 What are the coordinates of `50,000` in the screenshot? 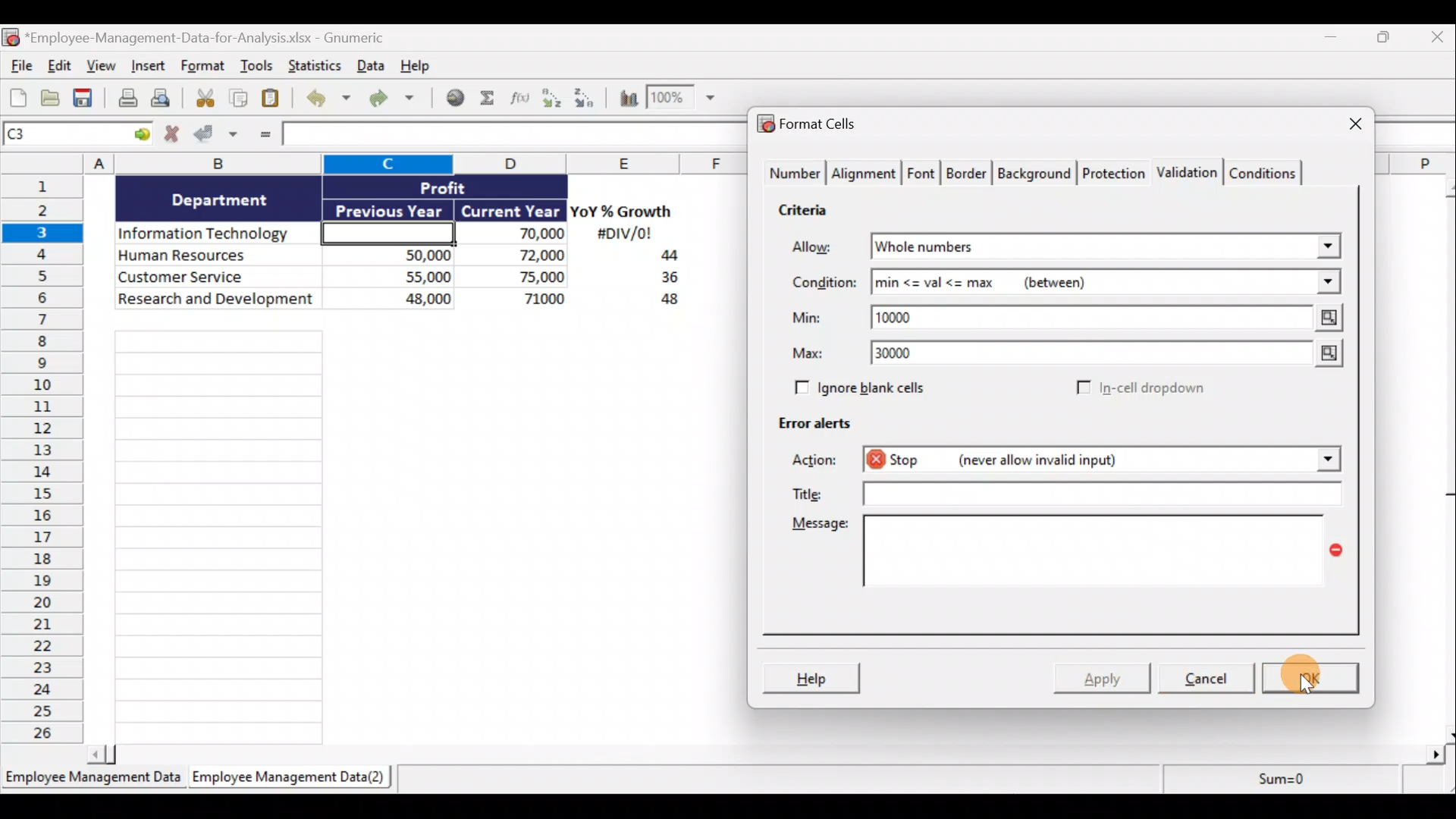 It's located at (397, 254).